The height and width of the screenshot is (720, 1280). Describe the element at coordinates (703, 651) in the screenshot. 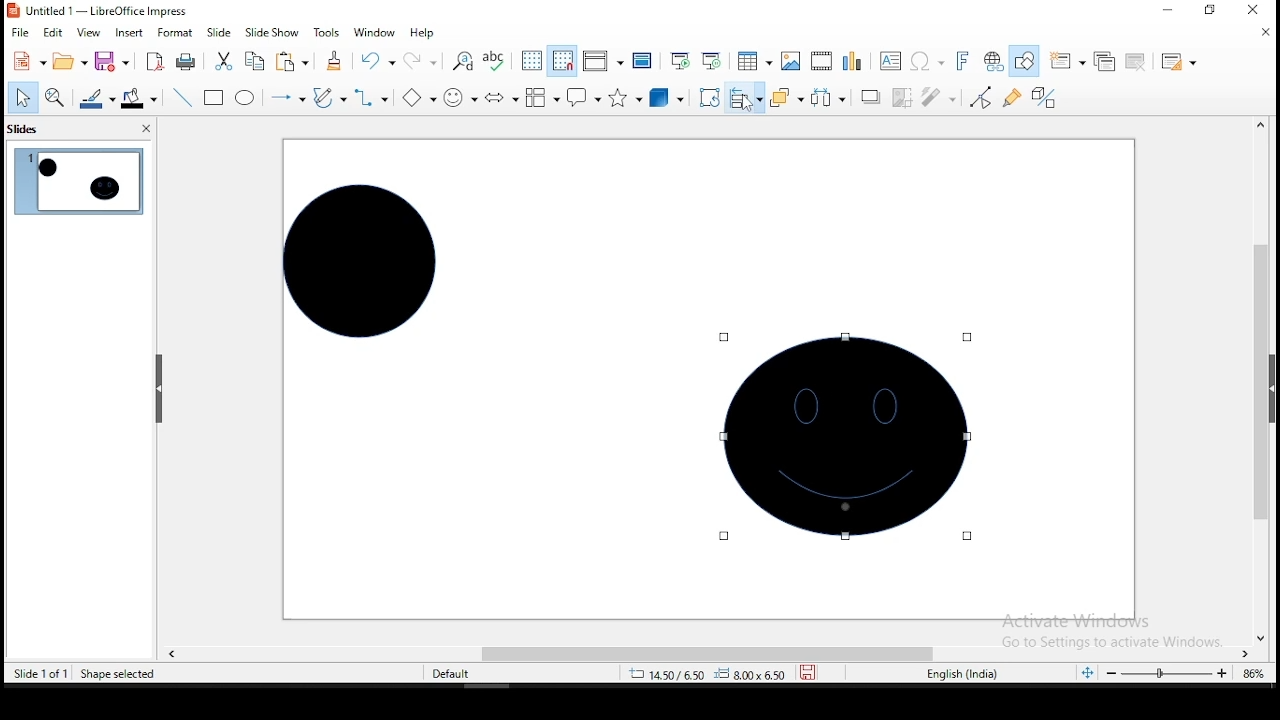

I see `scroll bar` at that location.